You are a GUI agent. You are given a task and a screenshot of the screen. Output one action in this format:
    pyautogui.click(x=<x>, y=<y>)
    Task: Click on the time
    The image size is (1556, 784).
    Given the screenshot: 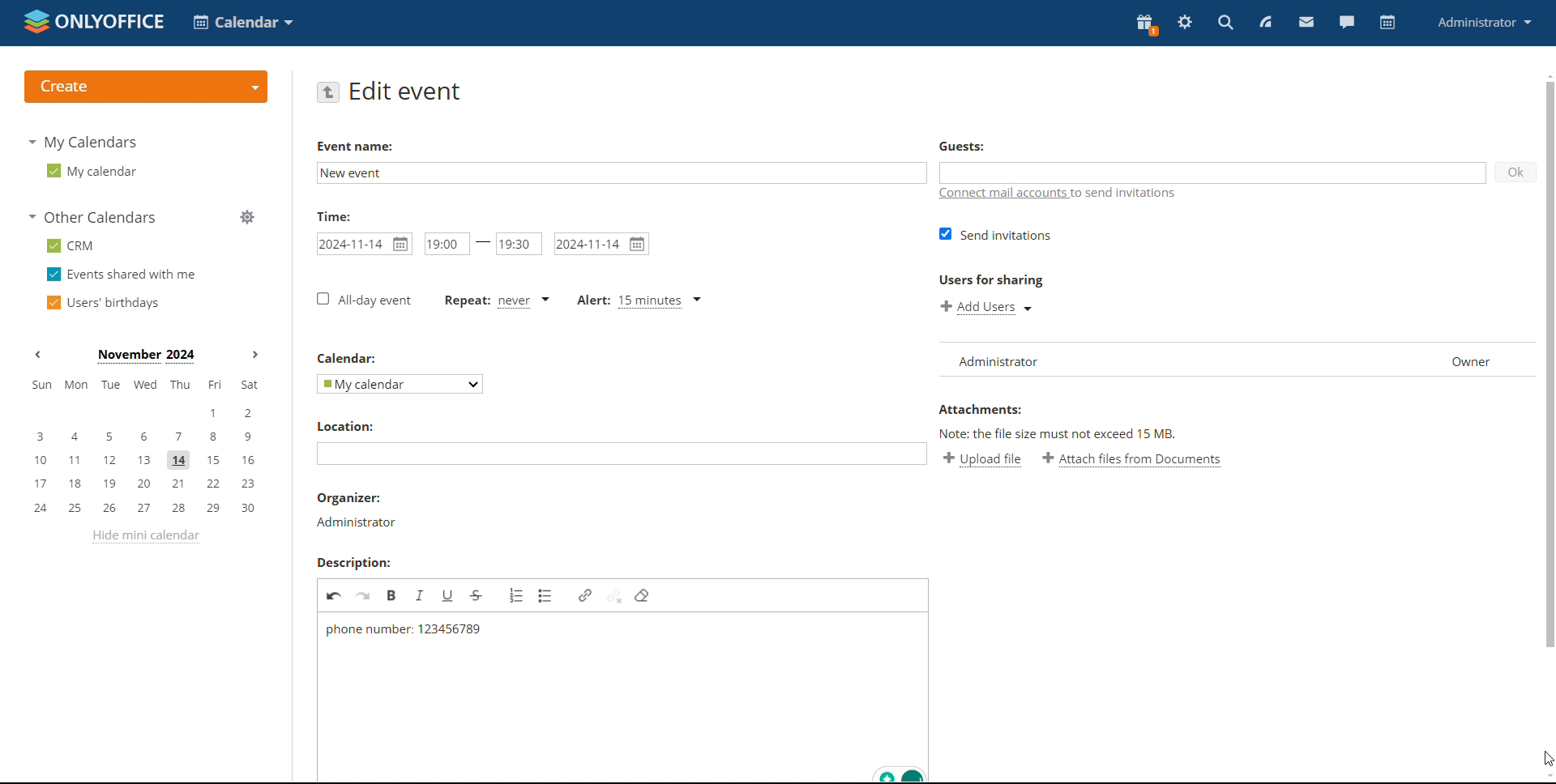 What is the action you would take?
    pyautogui.click(x=339, y=215)
    